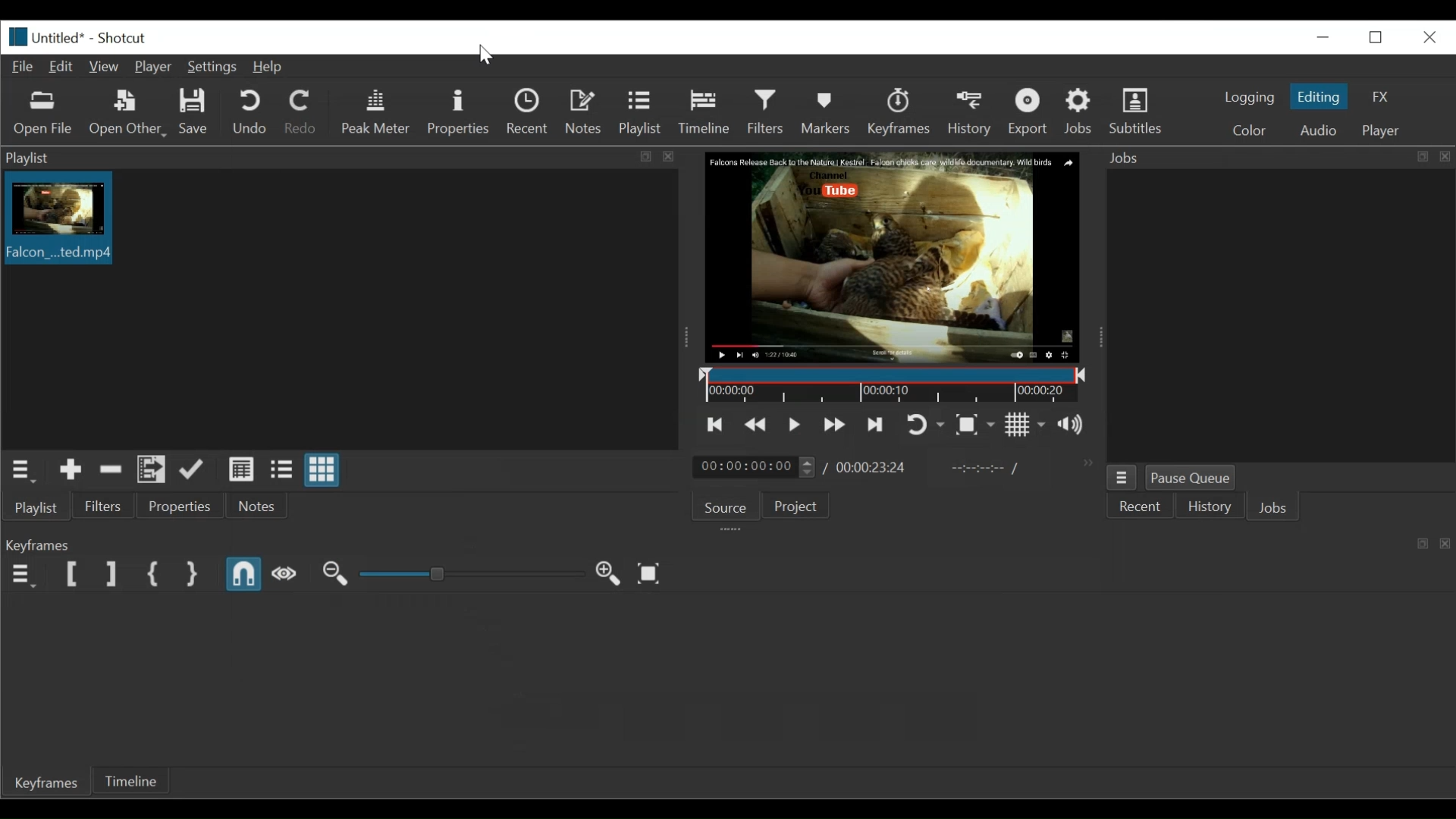  I want to click on Subtitles, so click(1137, 112).